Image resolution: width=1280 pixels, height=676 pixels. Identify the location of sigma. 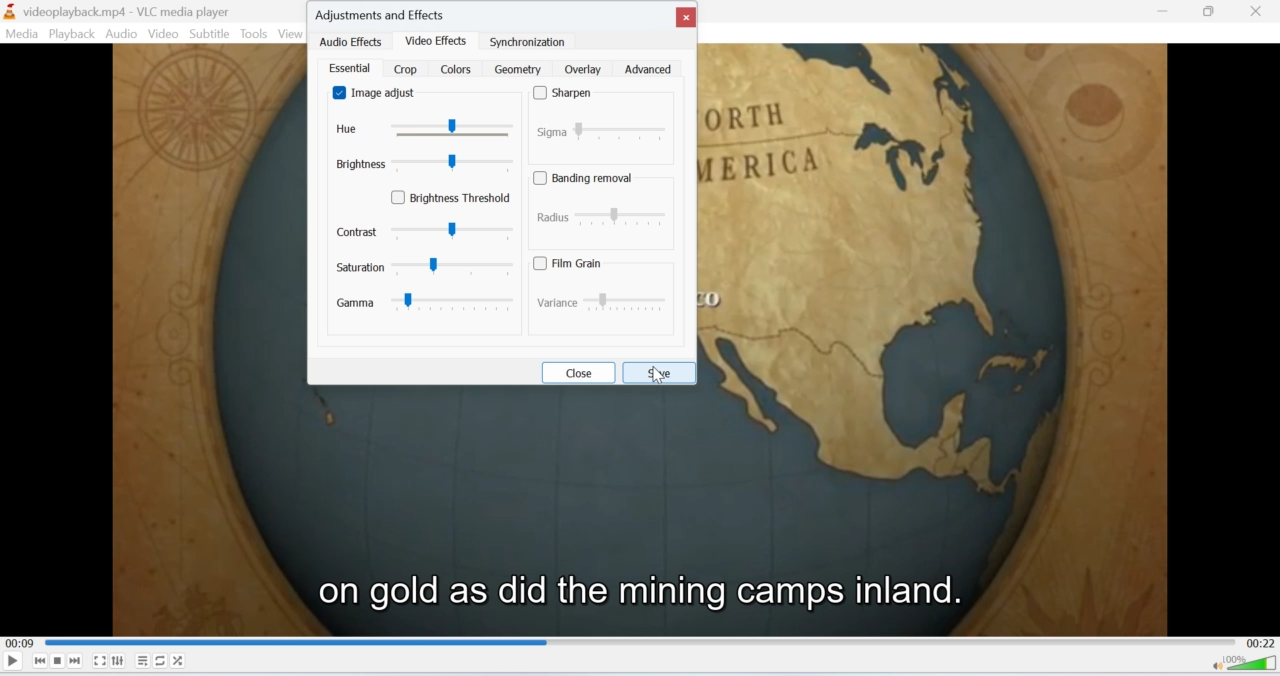
(607, 129).